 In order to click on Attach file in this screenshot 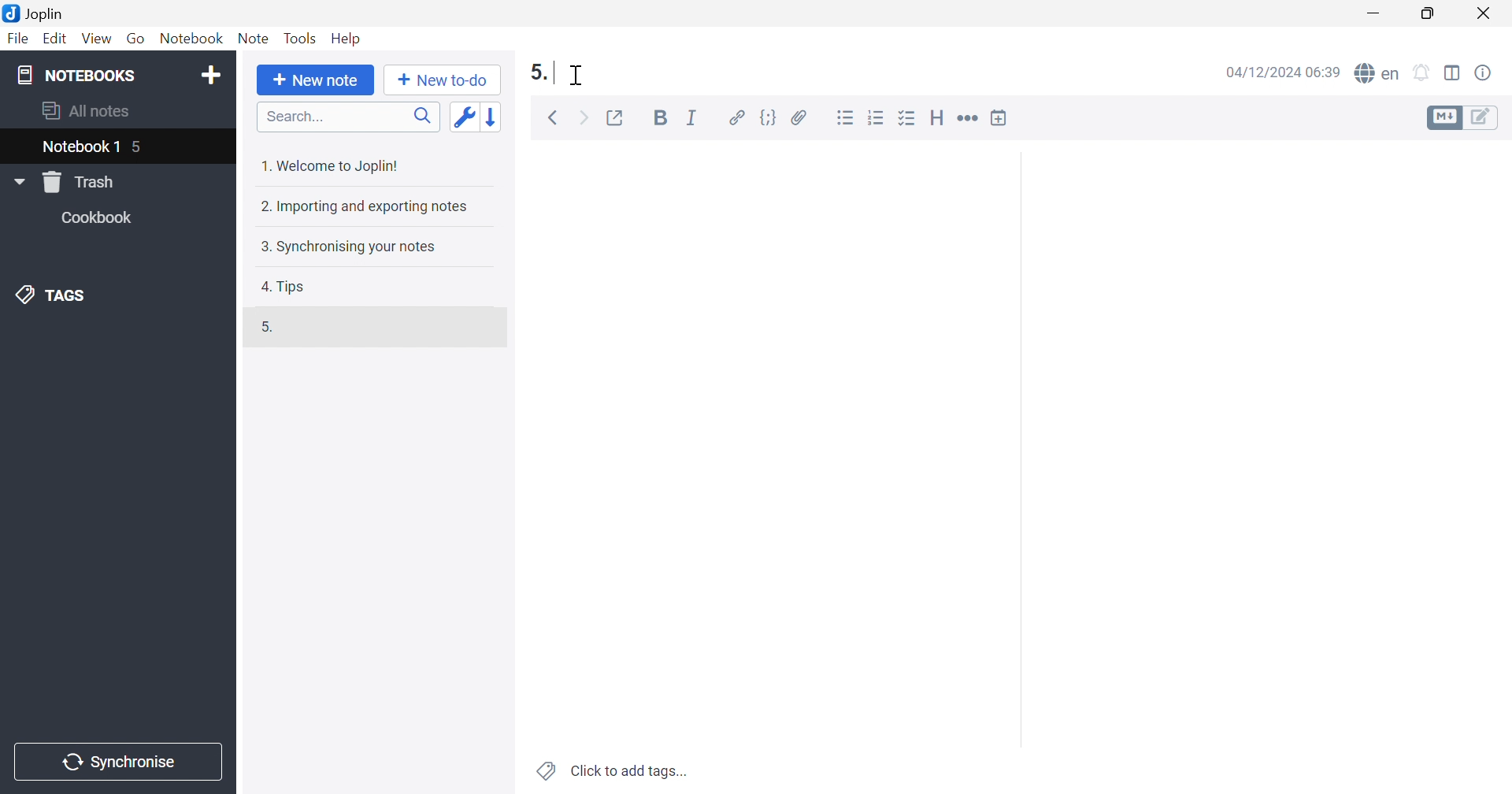, I will do `click(799, 117)`.